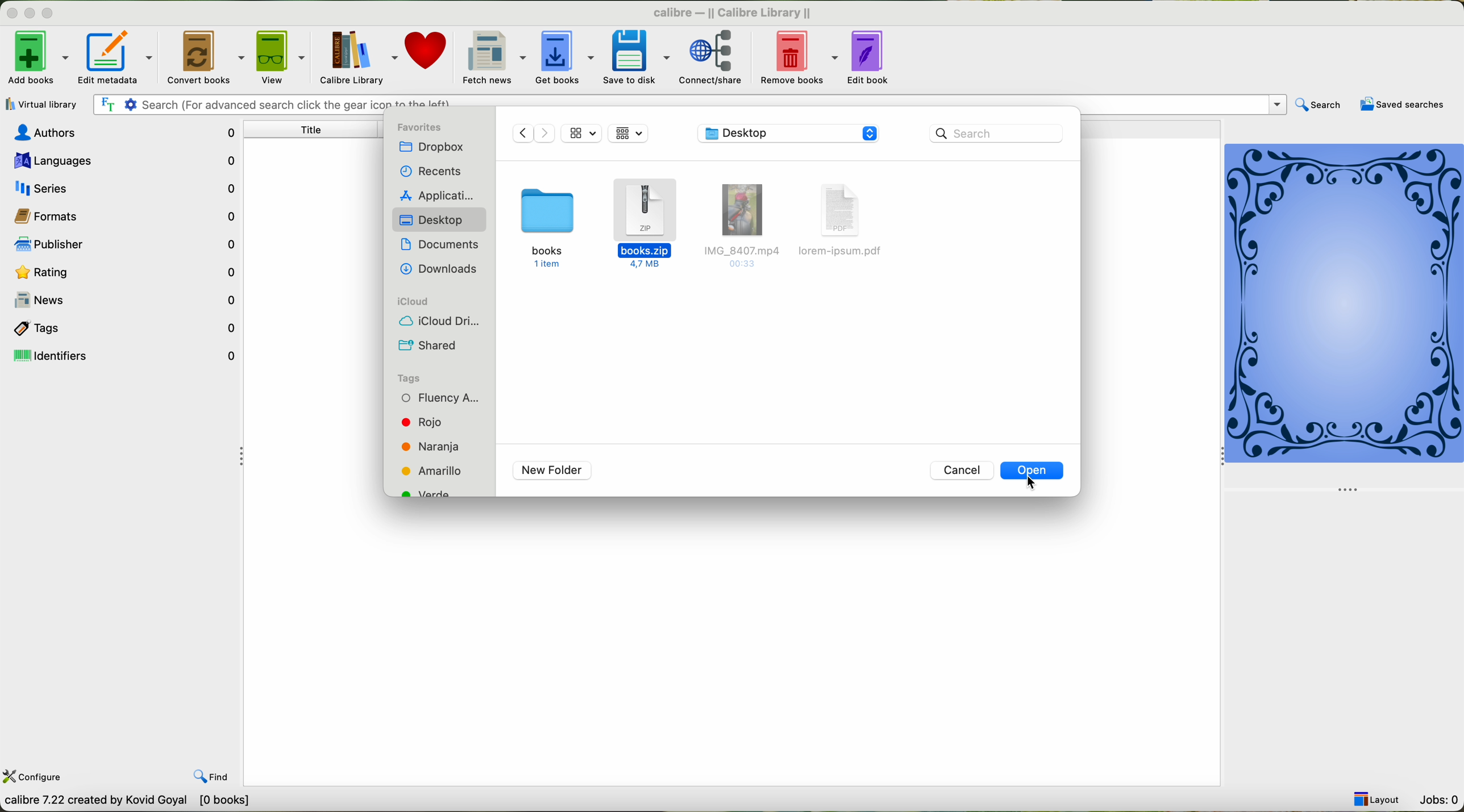 This screenshot has height=812, width=1464. Describe the element at coordinates (689, 103) in the screenshot. I see `search bar` at that location.